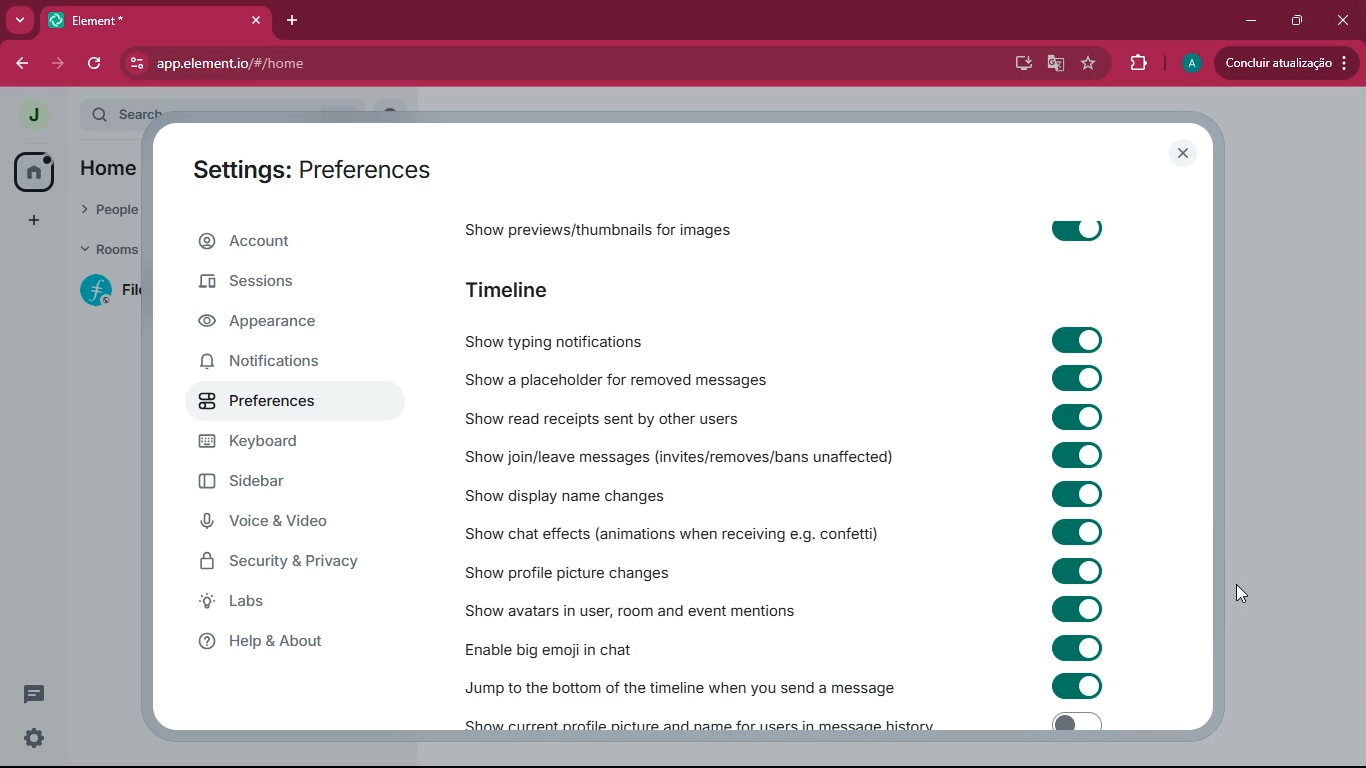 This screenshot has height=768, width=1366. I want to click on forward, so click(56, 64).